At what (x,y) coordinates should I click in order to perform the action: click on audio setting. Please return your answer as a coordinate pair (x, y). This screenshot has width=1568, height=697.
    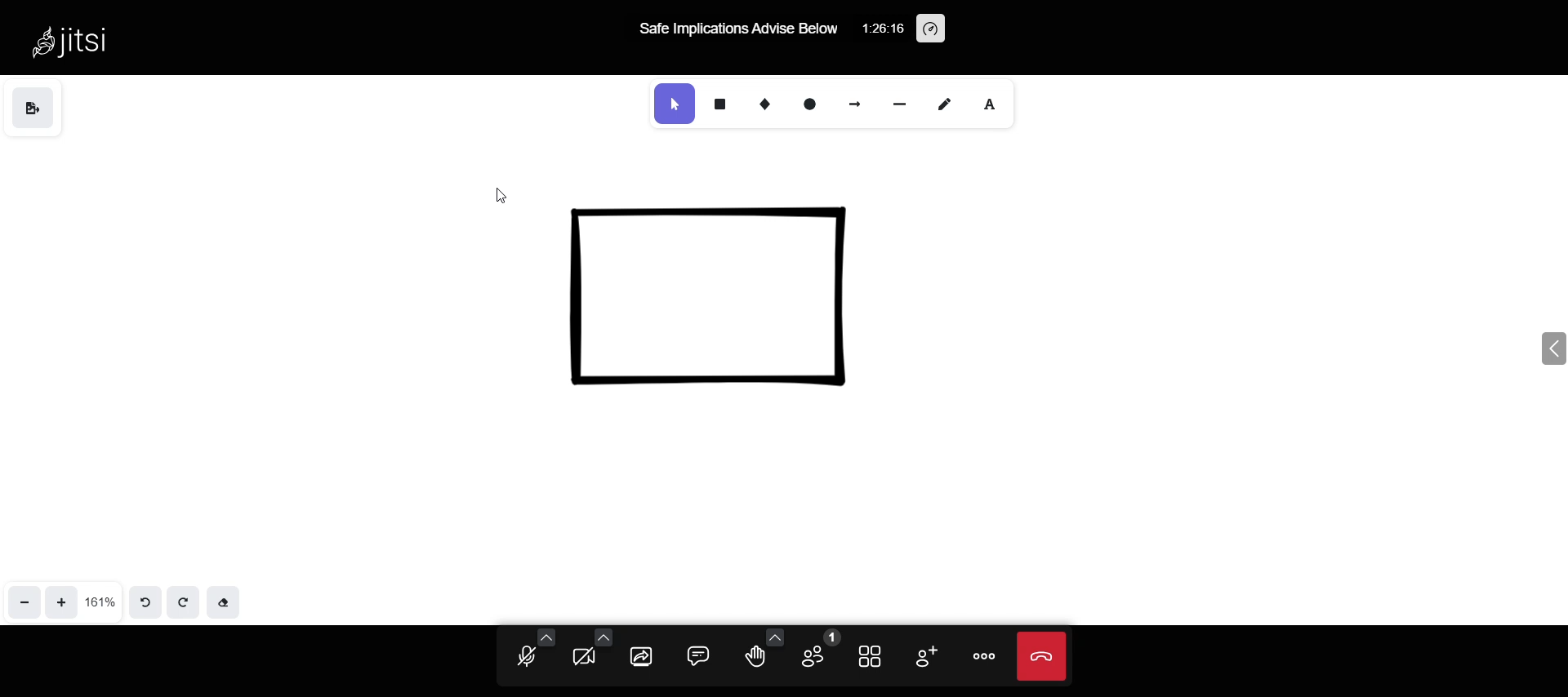
    Looking at the image, I should click on (544, 635).